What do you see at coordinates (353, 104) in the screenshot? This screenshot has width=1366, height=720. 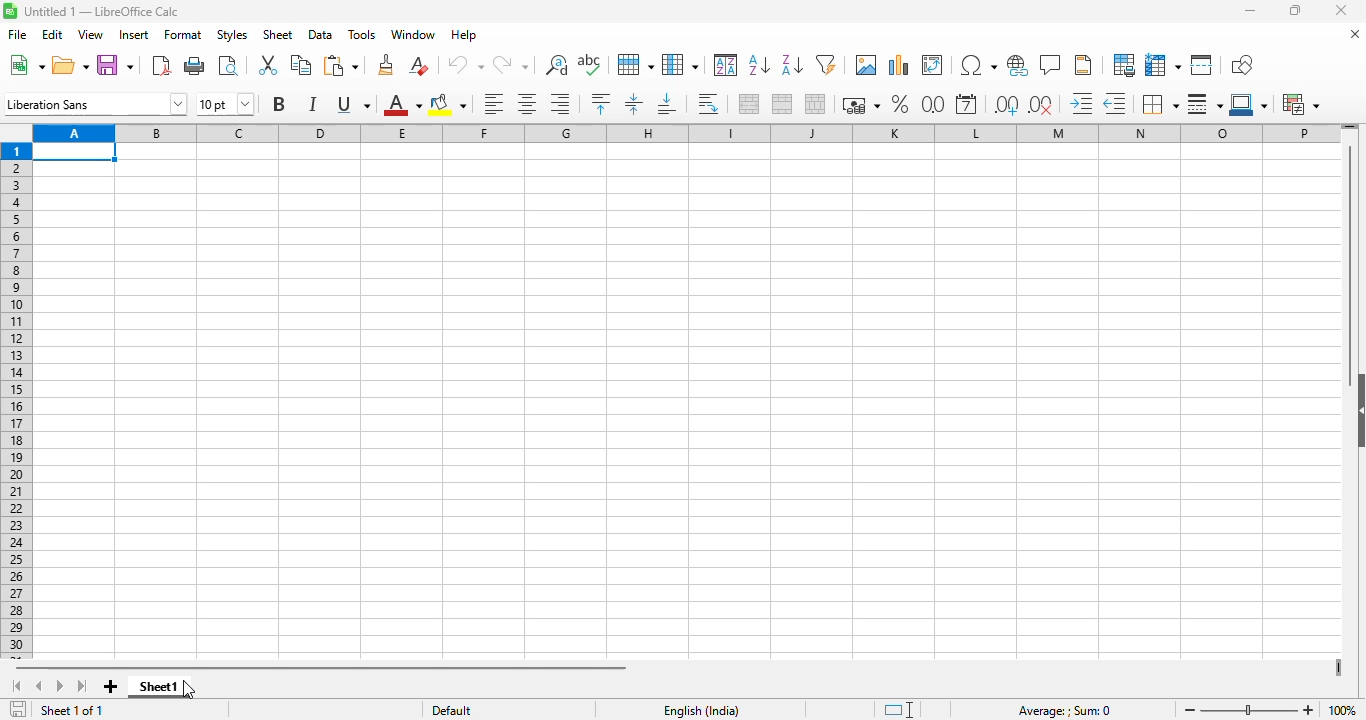 I see `underline` at bounding box center [353, 104].